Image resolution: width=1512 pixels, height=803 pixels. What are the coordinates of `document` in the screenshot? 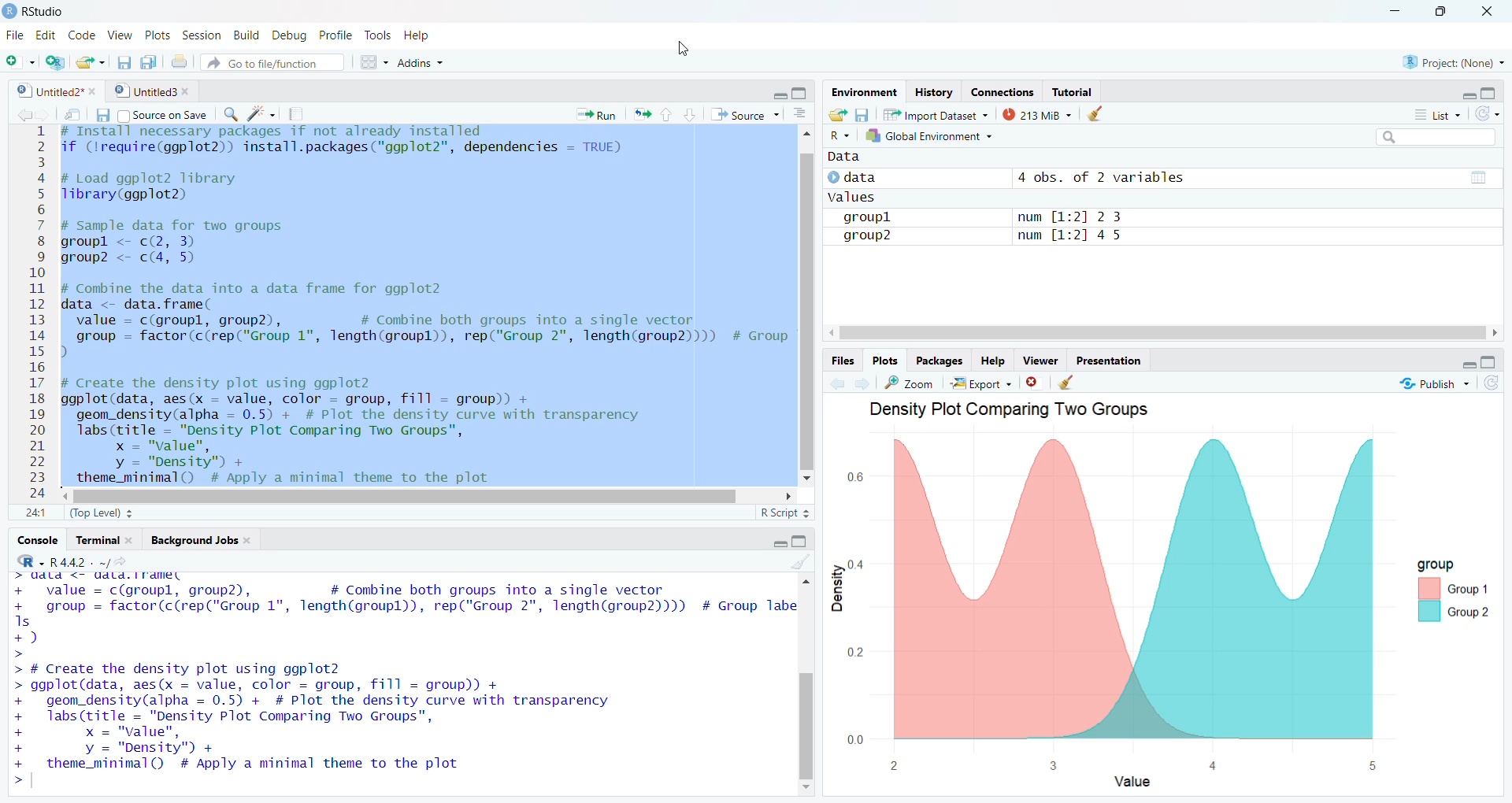 It's located at (298, 114).